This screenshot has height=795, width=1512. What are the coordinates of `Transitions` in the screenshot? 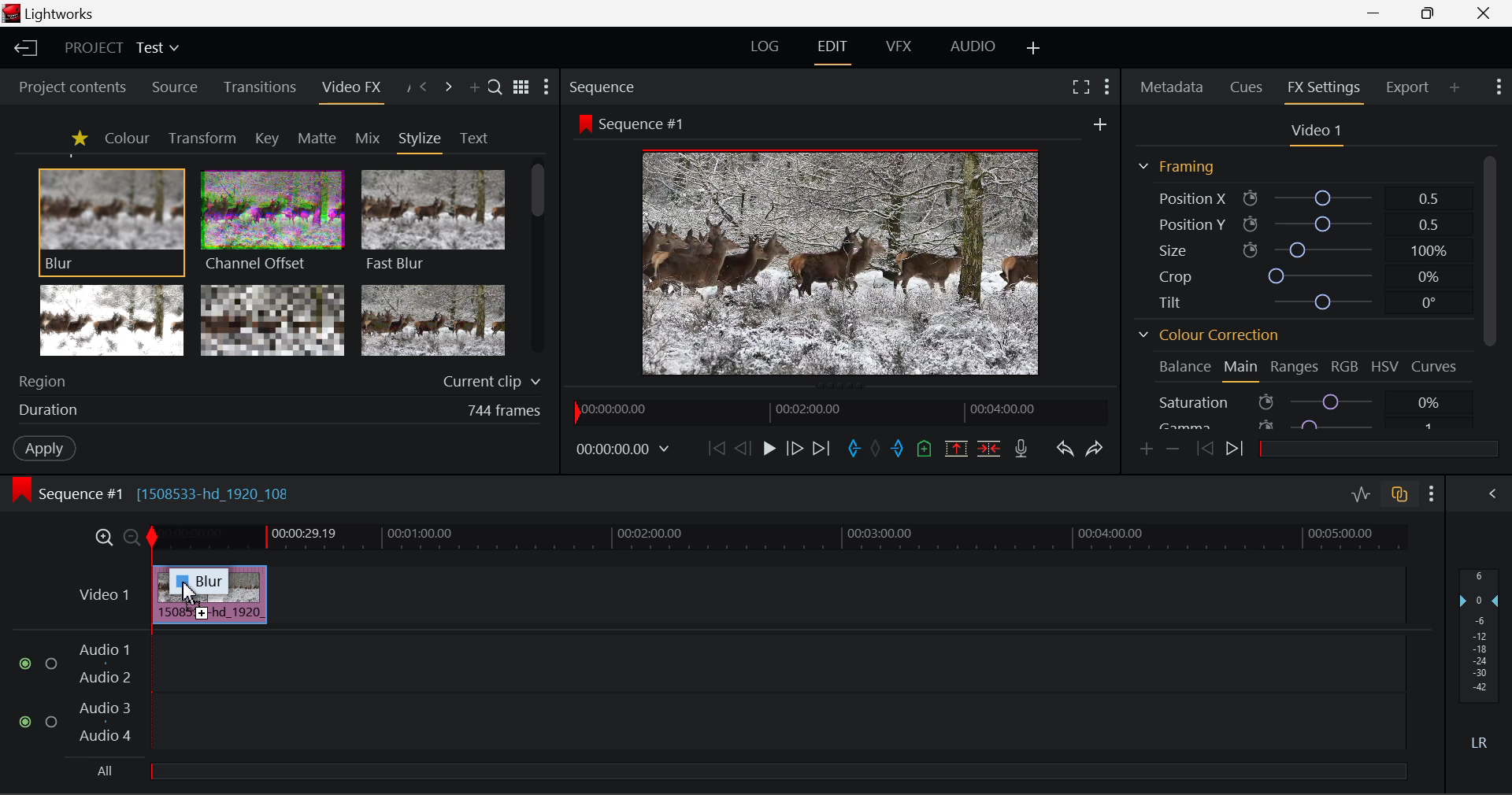 It's located at (258, 88).